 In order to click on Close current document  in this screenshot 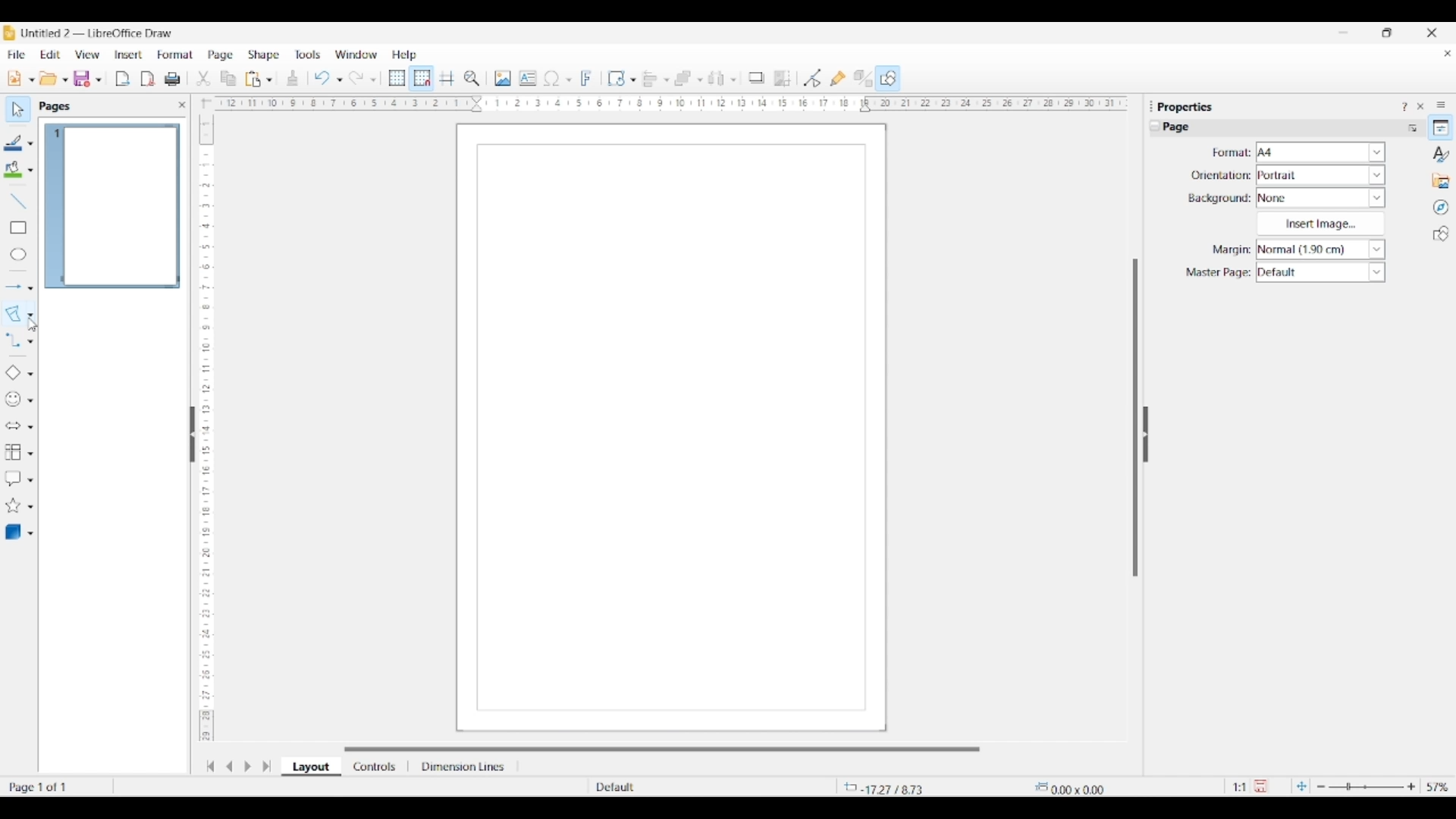, I will do `click(1447, 54)`.